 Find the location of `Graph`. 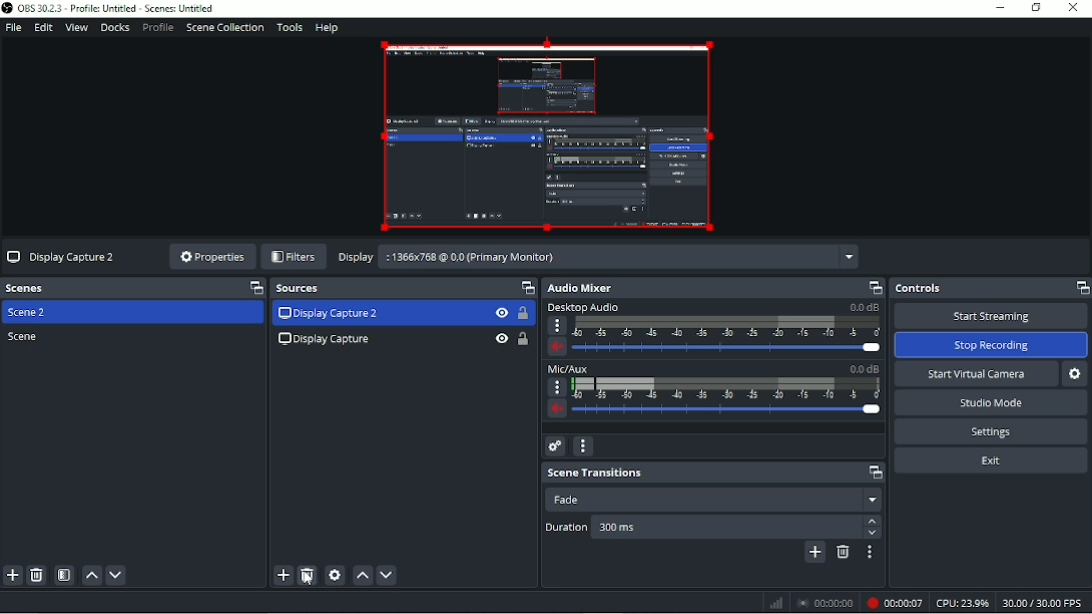

Graph is located at coordinates (775, 603).